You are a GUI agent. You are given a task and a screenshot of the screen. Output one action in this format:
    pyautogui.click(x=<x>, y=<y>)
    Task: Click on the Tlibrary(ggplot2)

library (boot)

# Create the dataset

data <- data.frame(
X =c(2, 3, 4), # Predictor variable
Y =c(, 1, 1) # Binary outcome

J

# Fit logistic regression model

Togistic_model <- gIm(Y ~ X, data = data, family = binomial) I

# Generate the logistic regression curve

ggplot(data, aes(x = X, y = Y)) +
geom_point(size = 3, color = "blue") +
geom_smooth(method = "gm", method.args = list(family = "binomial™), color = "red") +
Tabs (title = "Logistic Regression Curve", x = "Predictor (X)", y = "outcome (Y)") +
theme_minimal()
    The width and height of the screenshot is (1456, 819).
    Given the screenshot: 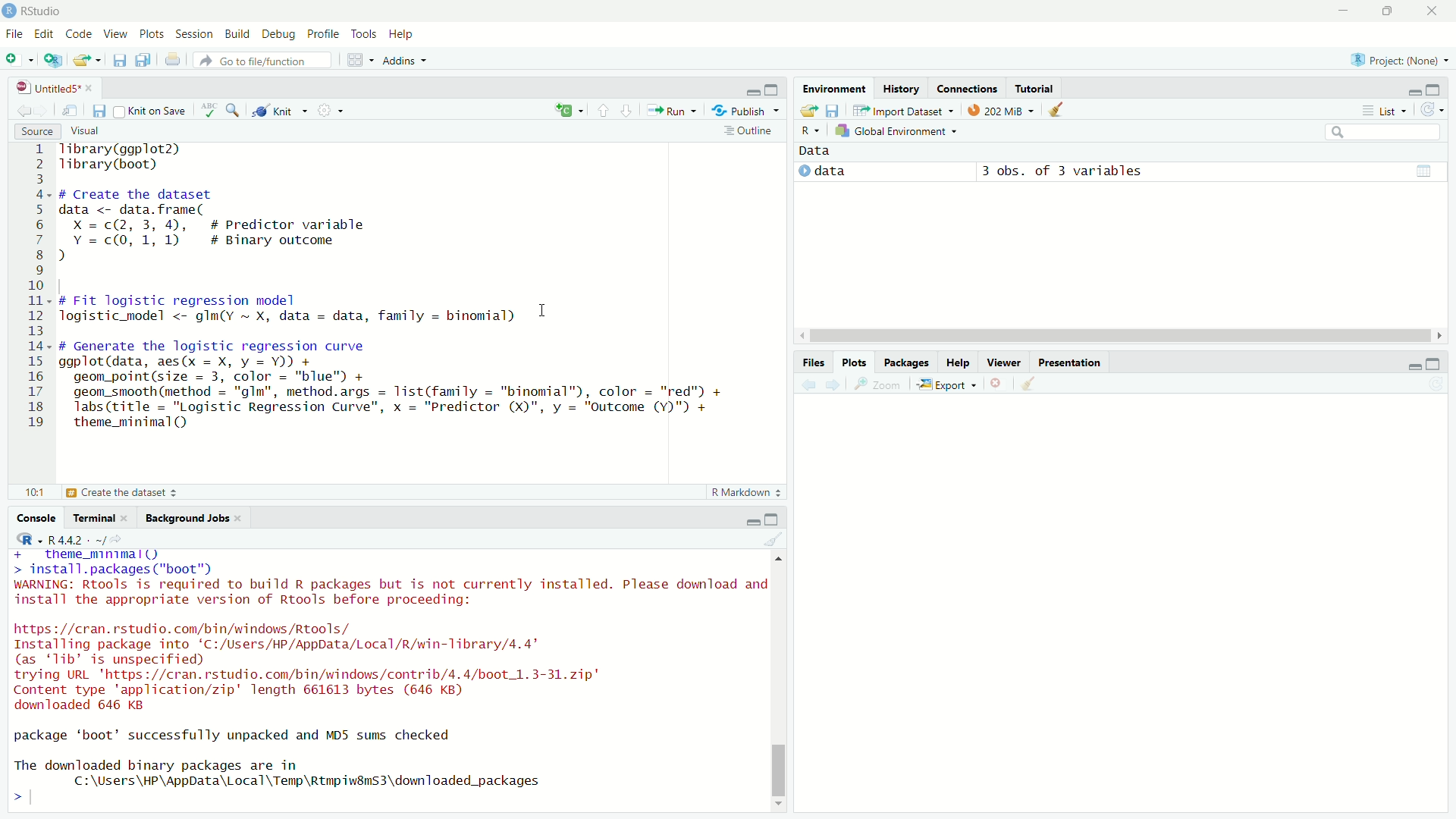 What is the action you would take?
    pyautogui.click(x=393, y=293)
    